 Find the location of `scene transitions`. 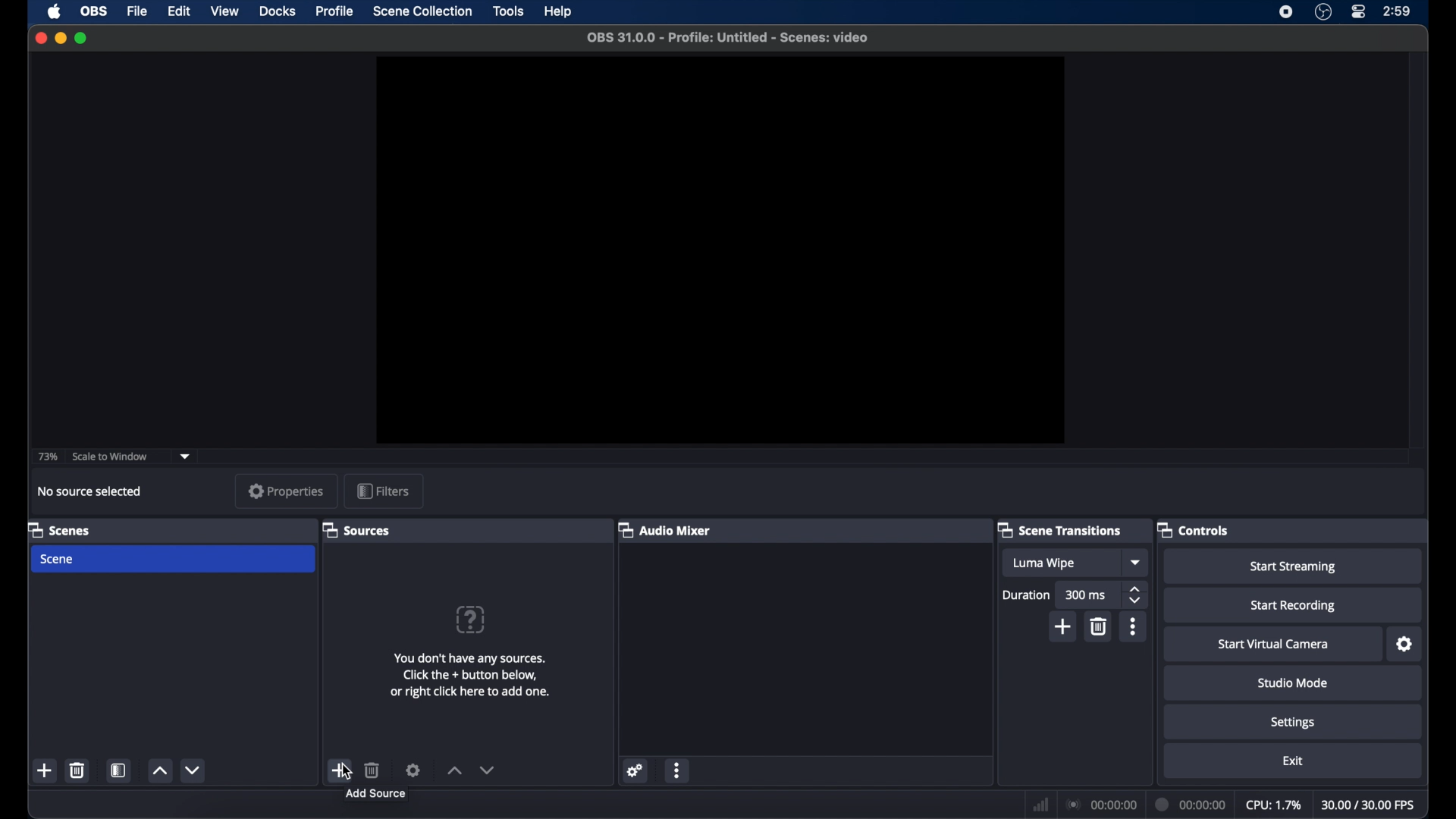

scene transitions is located at coordinates (1059, 529).